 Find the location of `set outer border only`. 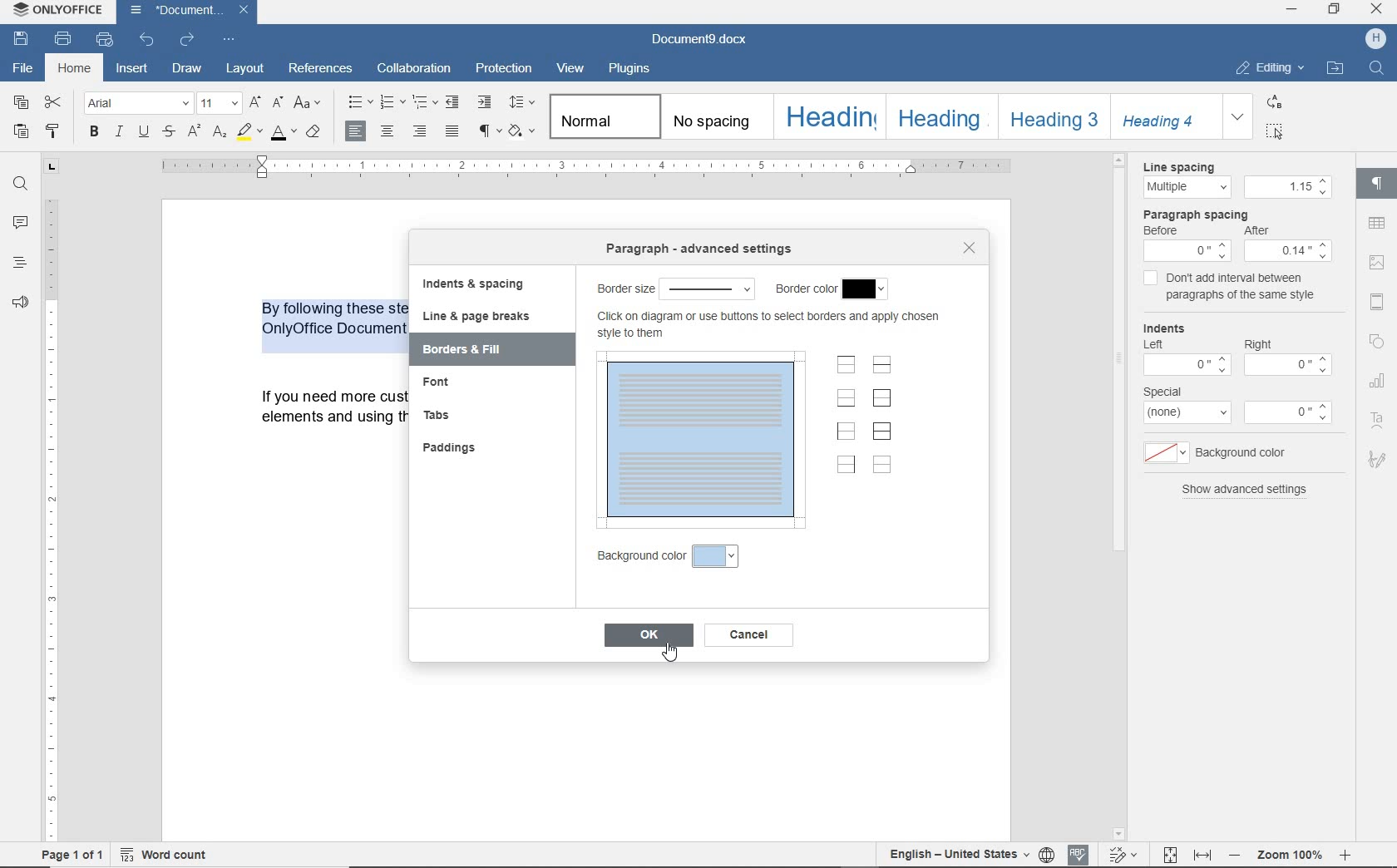

set outer border only is located at coordinates (881, 401).